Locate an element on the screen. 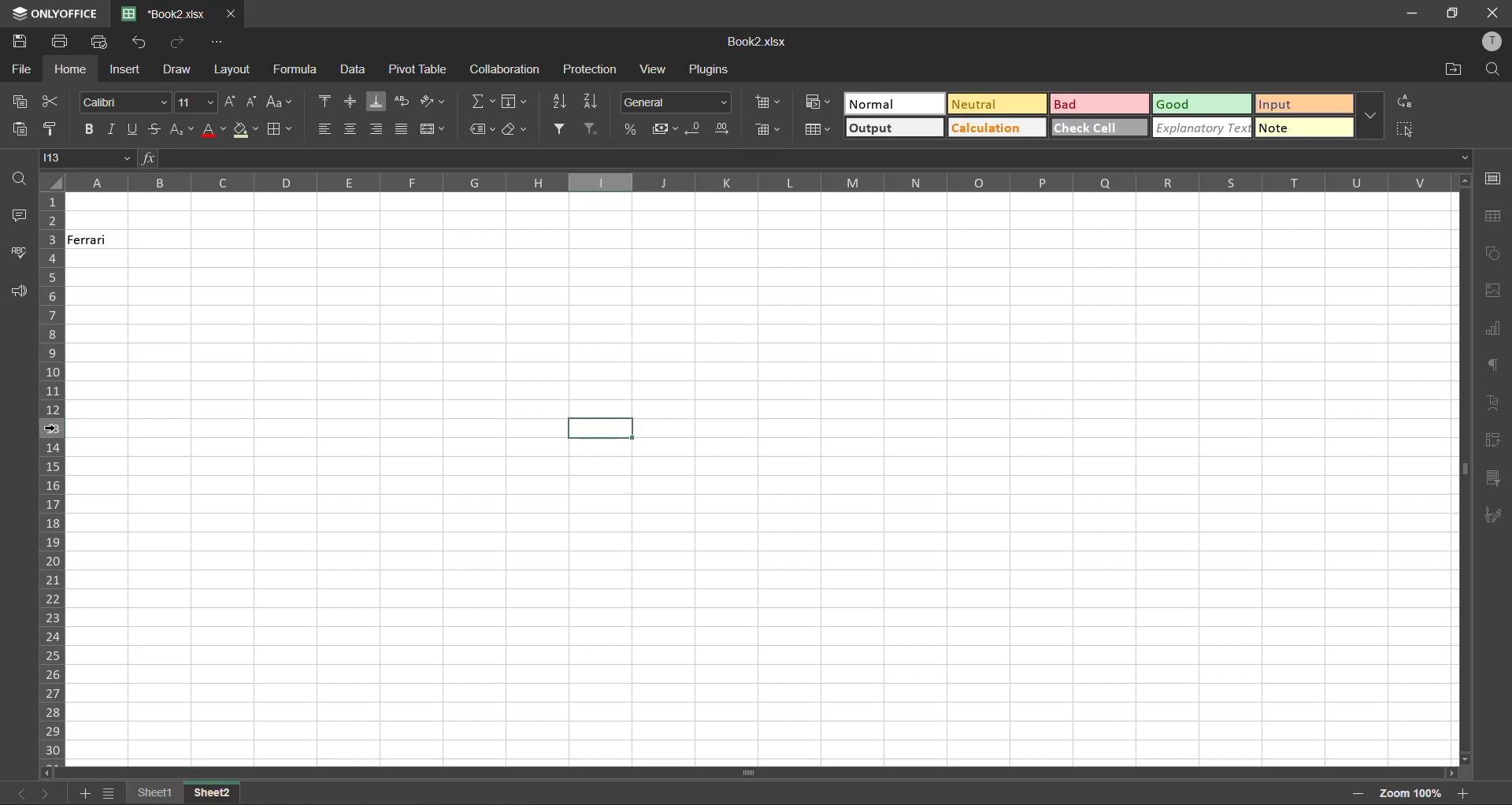  Ferrari is located at coordinates (99, 240).